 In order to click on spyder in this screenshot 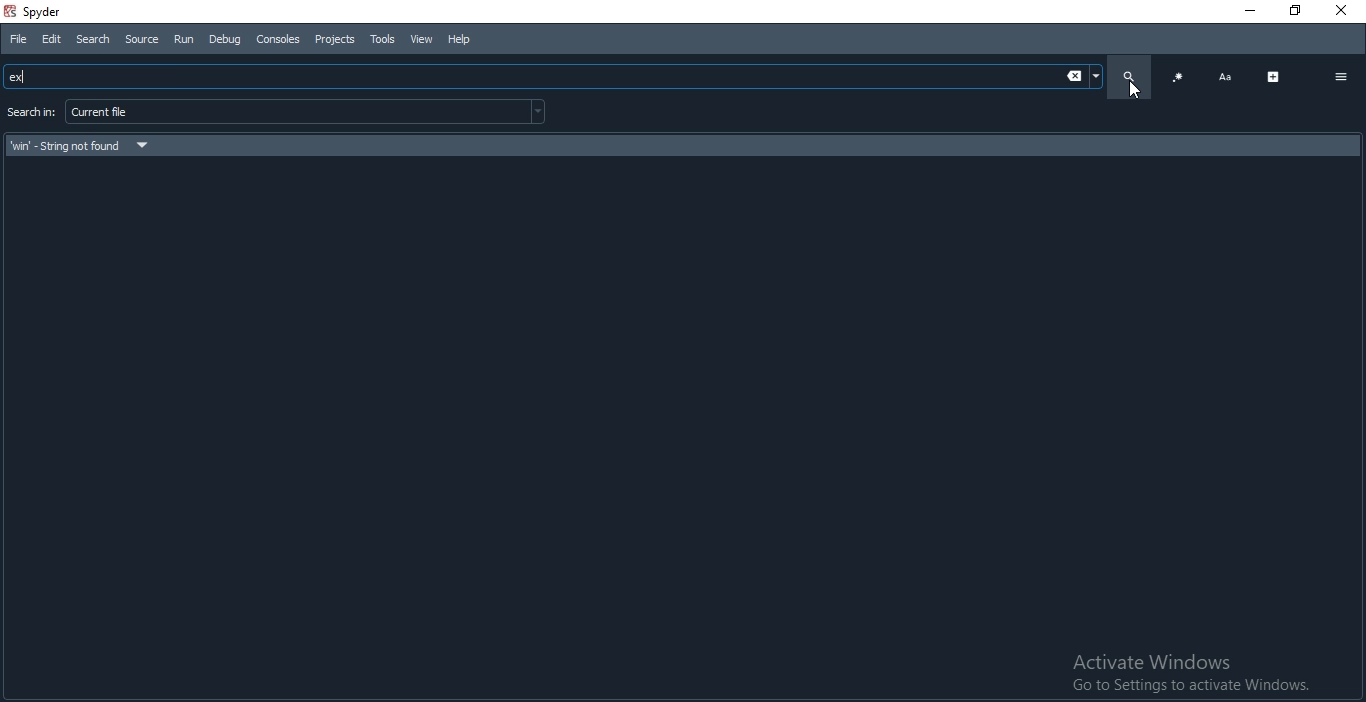, I will do `click(9, 13)`.